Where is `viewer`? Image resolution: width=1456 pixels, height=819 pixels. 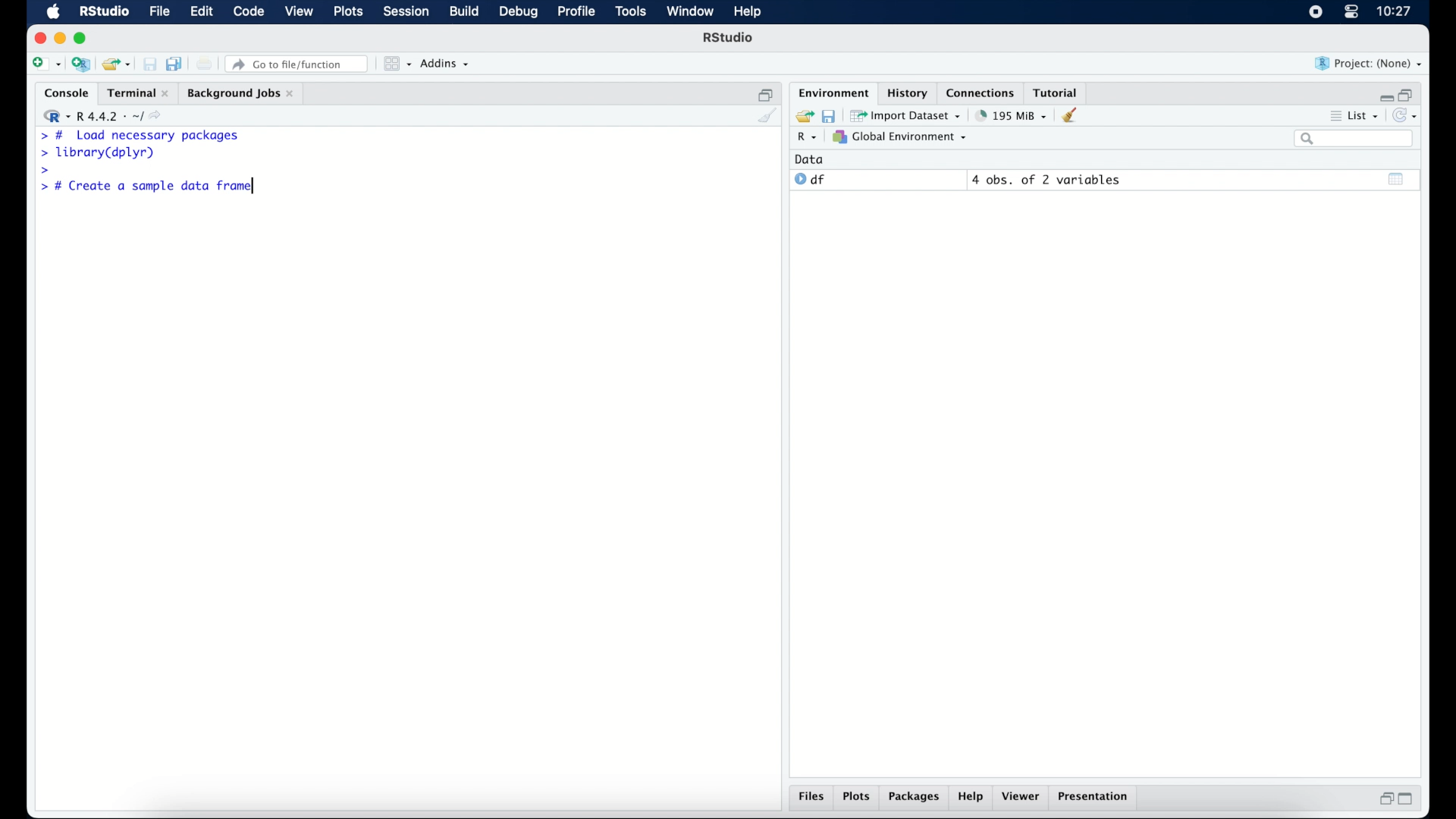 viewer is located at coordinates (1024, 798).